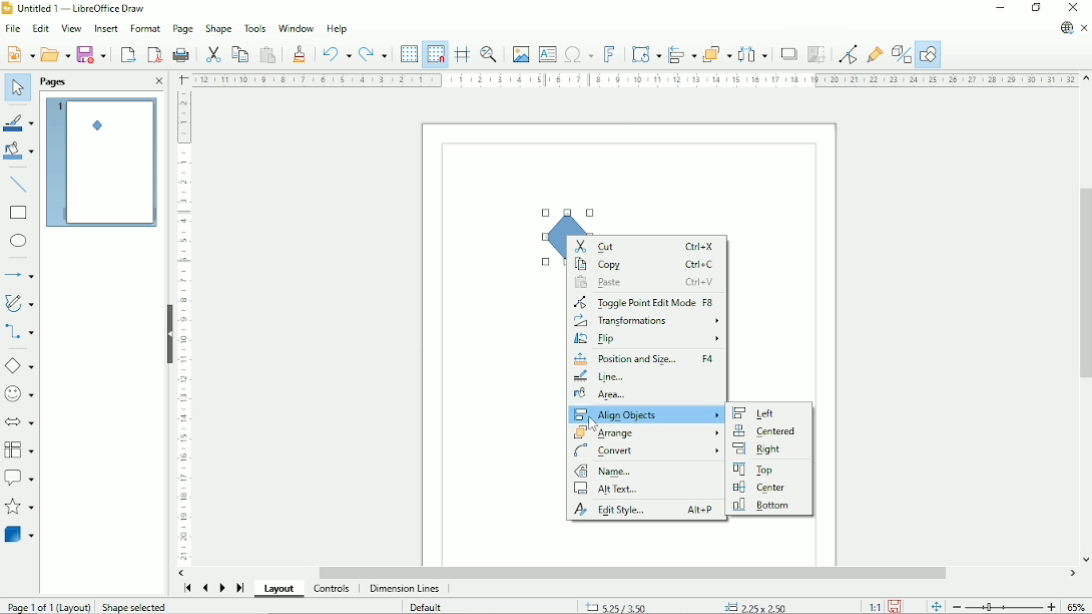 This screenshot has width=1092, height=614. What do you see at coordinates (578, 54) in the screenshot?
I see `Insert special characters` at bounding box center [578, 54].